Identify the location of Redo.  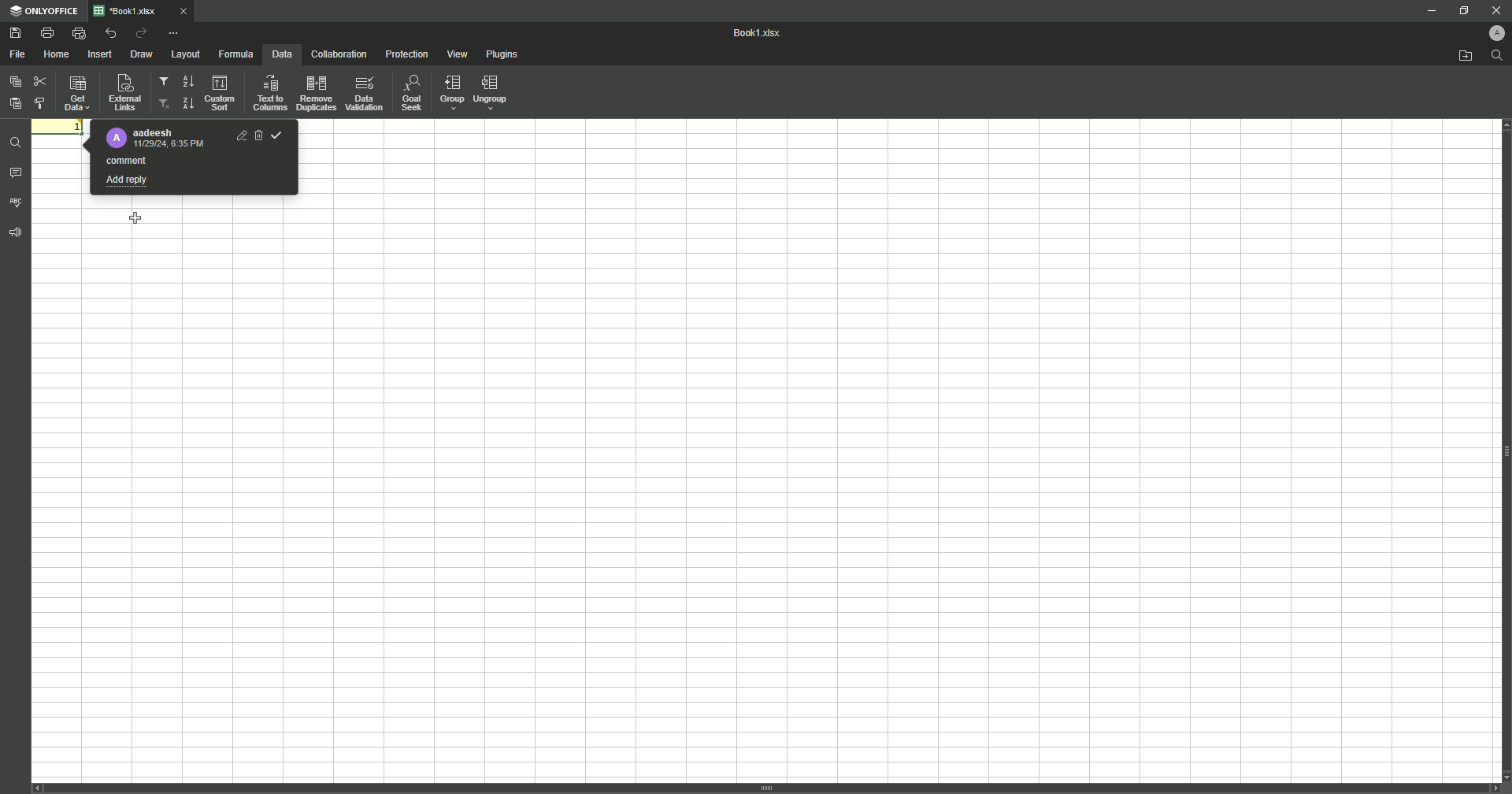
(140, 34).